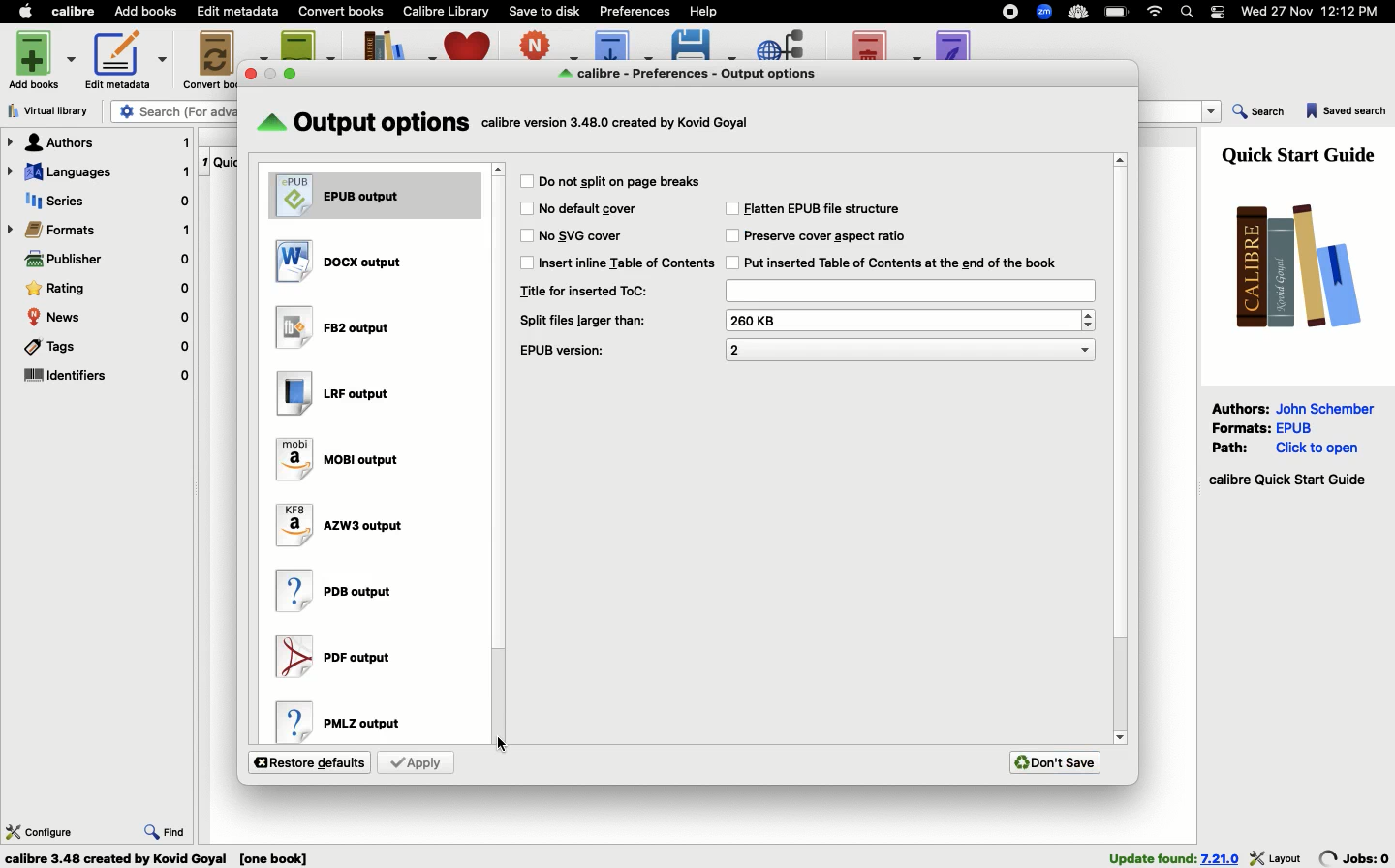 This screenshot has width=1395, height=868. What do you see at coordinates (54, 110) in the screenshot?
I see `Virtual library` at bounding box center [54, 110].